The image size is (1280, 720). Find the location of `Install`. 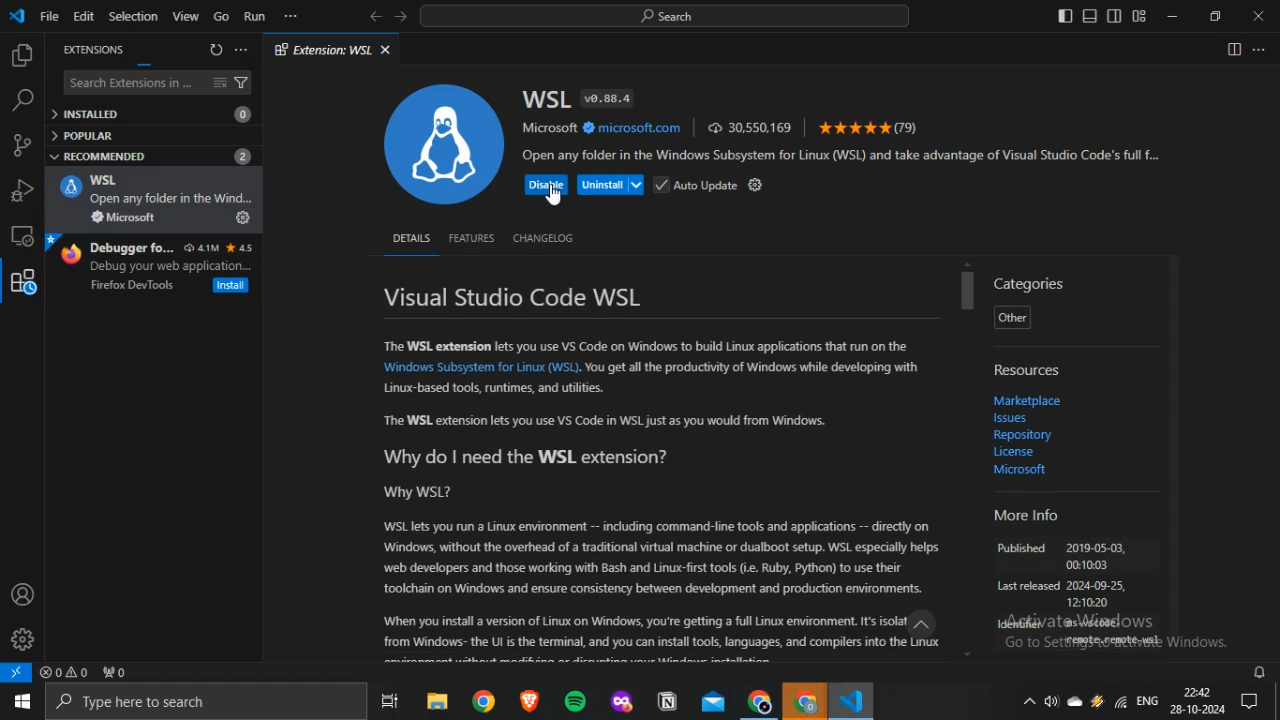

Install is located at coordinates (232, 285).